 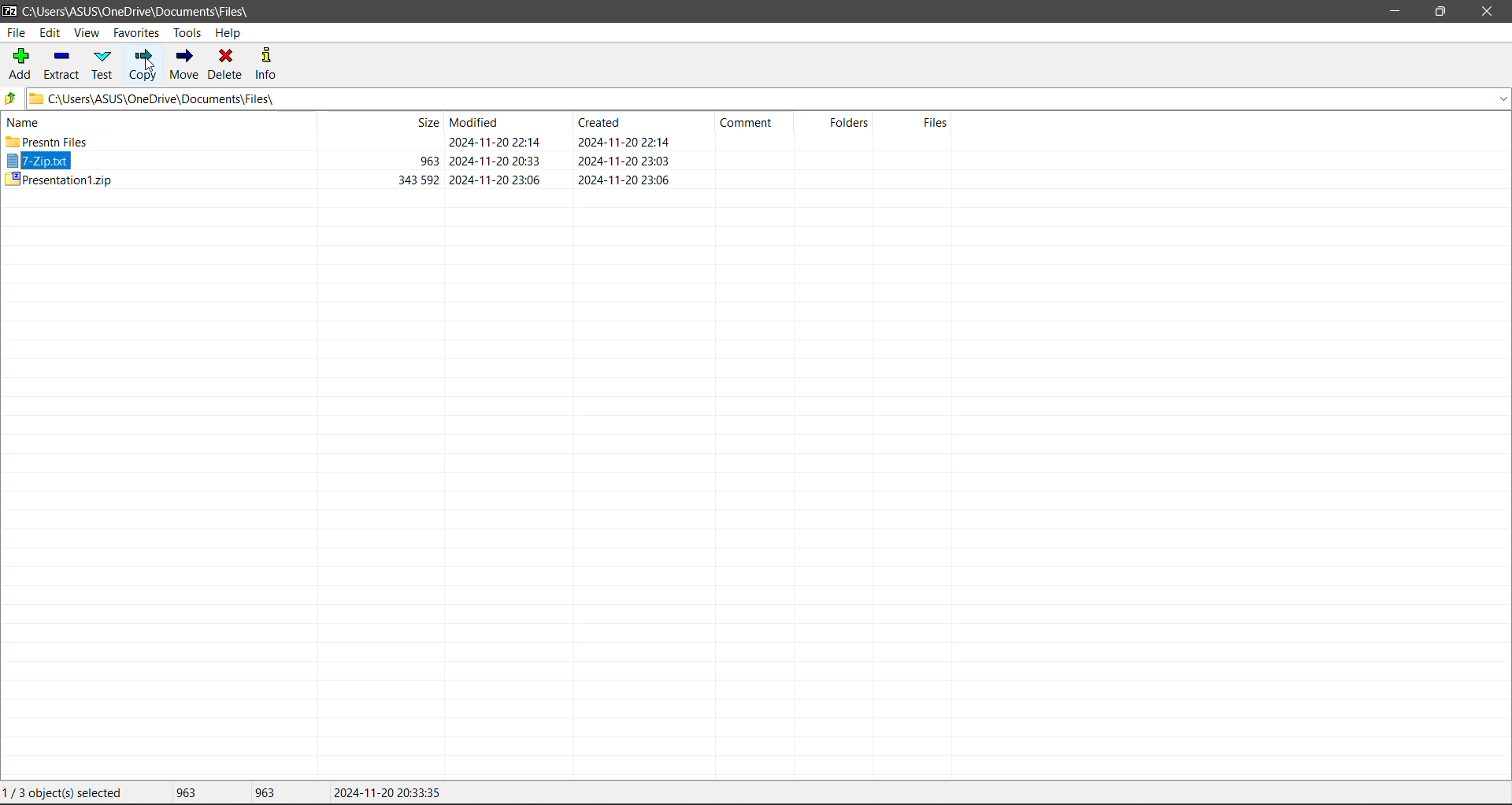 What do you see at coordinates (152, 67) in the screenshot?
I see `Cursor` at bounding box center [152, 67].